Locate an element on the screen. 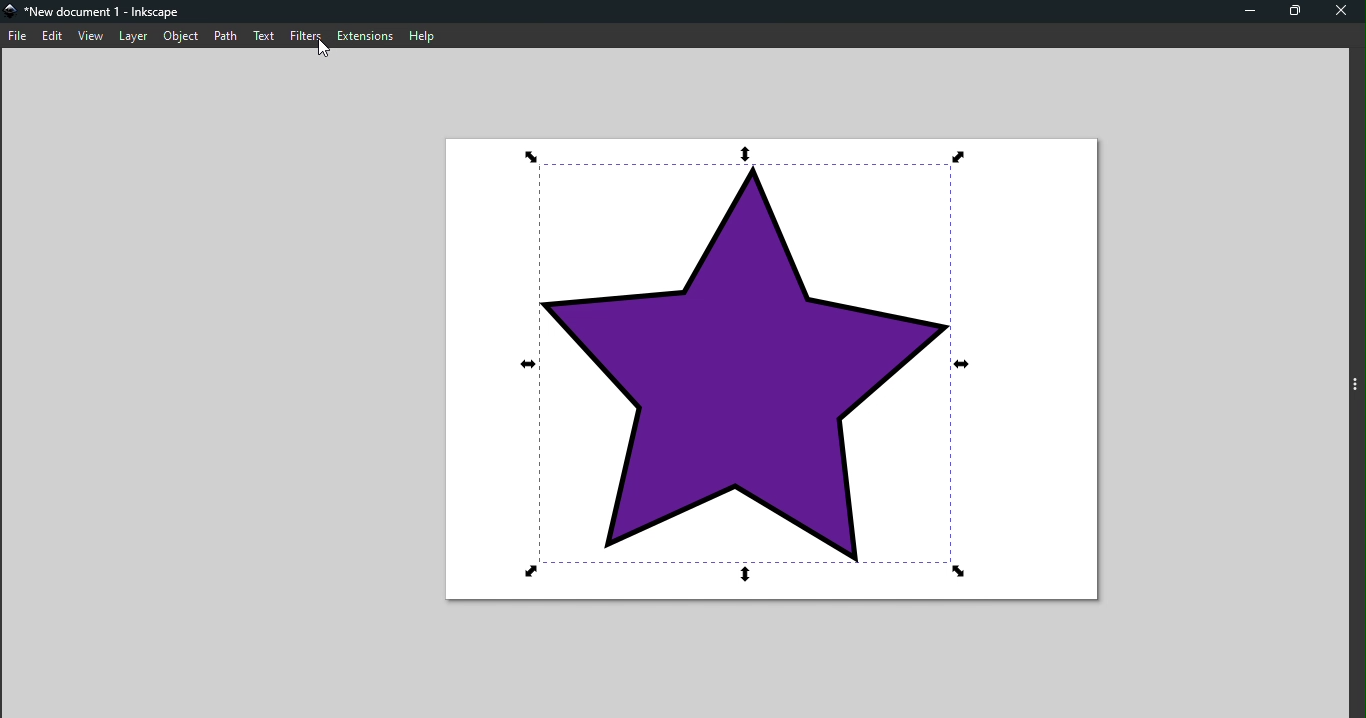 The height and width of the screenshot is (718, 1366). Object is located at coordinates (181, 36).